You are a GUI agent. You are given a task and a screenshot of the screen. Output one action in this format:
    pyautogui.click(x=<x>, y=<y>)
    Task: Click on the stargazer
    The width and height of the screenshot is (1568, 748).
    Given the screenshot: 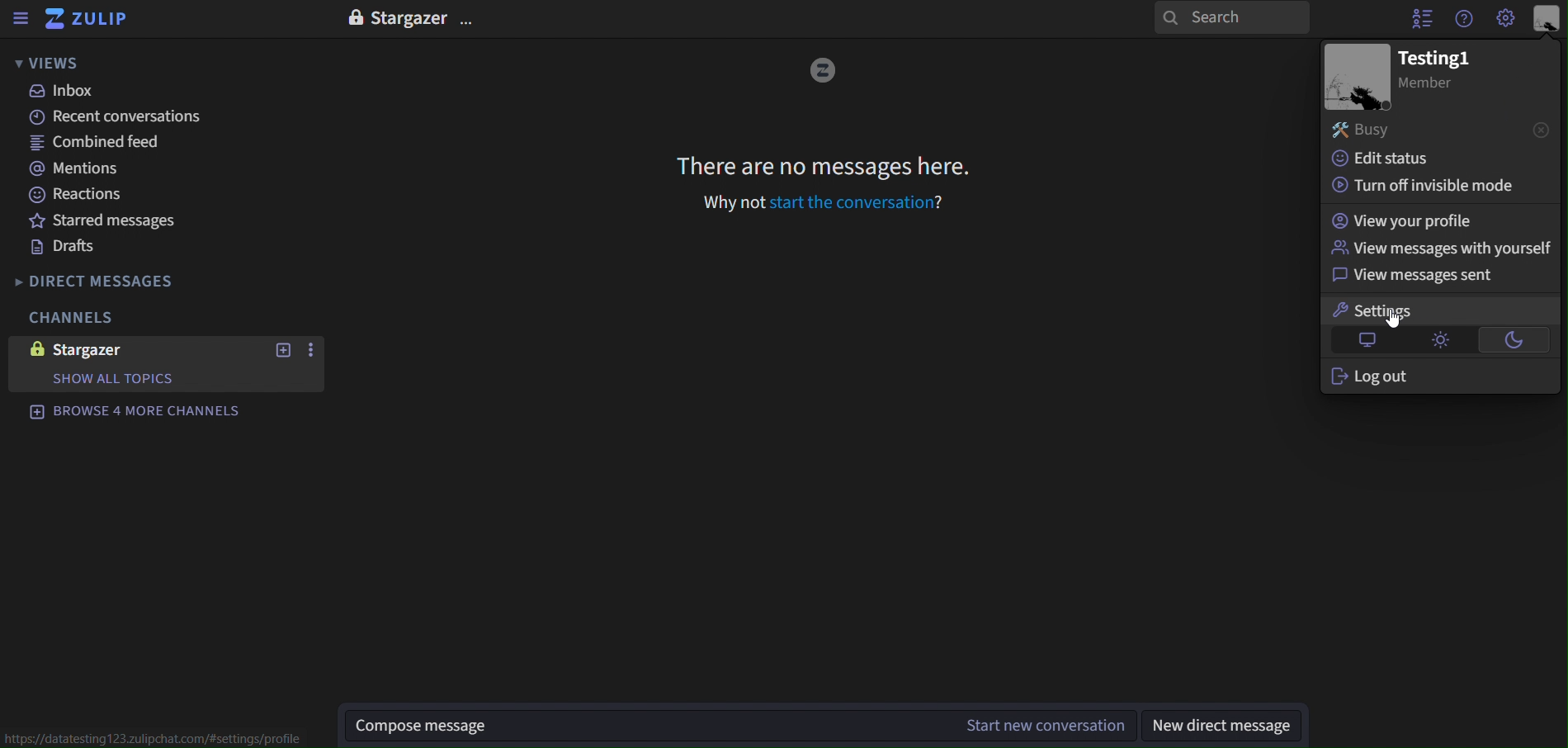 What is the action you would take?
    pyautogui.click(x=394, y=17)
    